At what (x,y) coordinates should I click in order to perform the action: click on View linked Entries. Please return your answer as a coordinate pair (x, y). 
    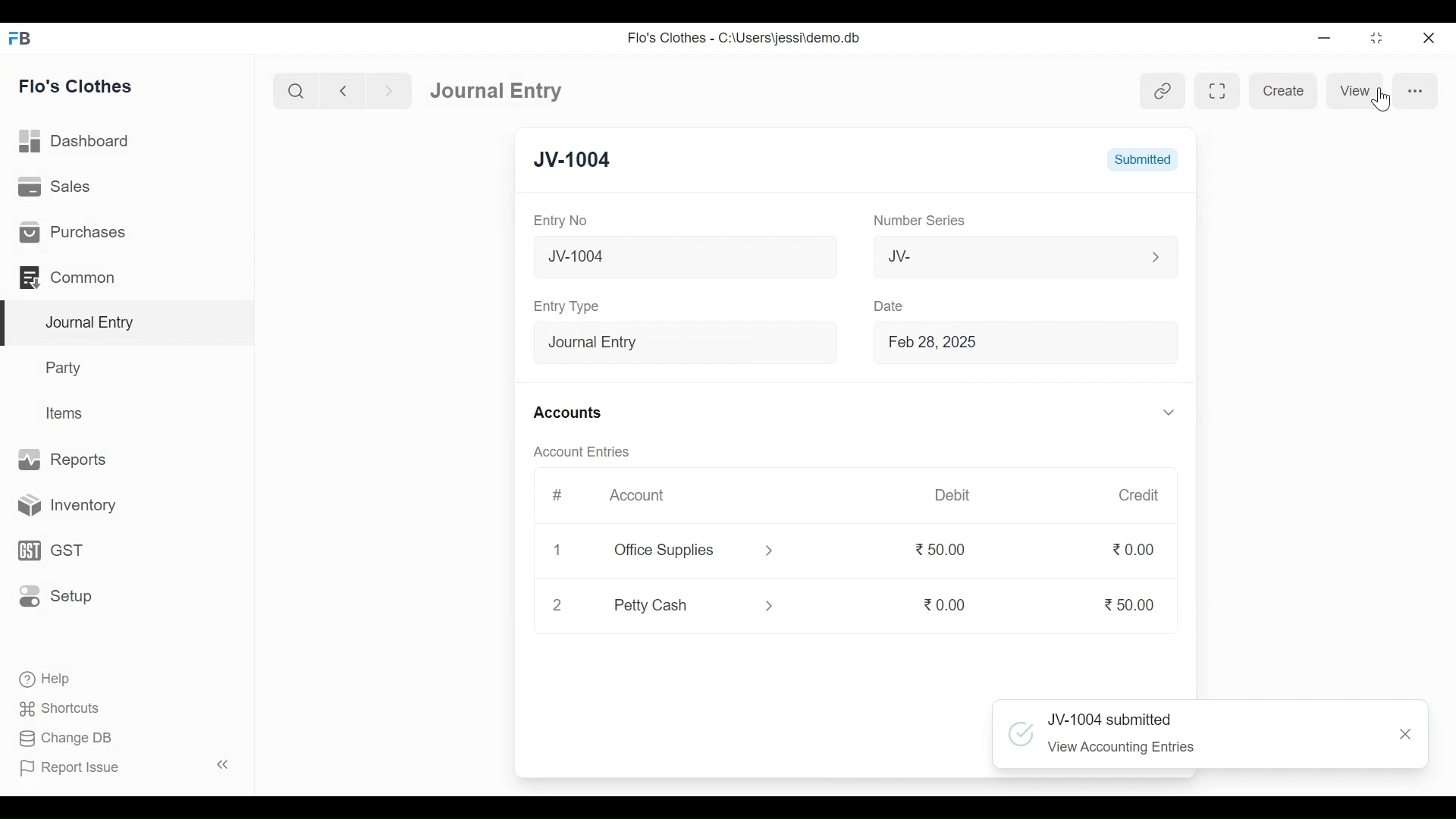
    Looking at the image, I should click on (1163, 91).